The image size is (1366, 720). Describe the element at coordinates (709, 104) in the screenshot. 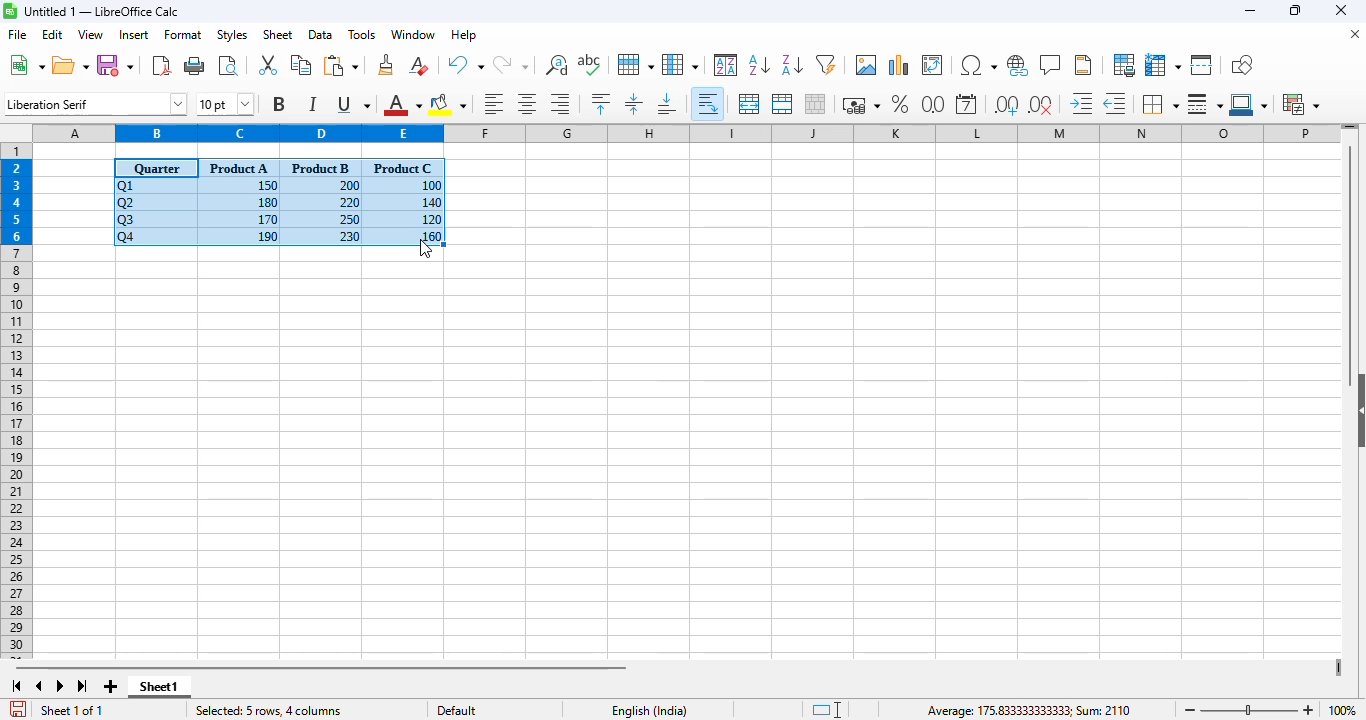

I see `wrap text` at that location.